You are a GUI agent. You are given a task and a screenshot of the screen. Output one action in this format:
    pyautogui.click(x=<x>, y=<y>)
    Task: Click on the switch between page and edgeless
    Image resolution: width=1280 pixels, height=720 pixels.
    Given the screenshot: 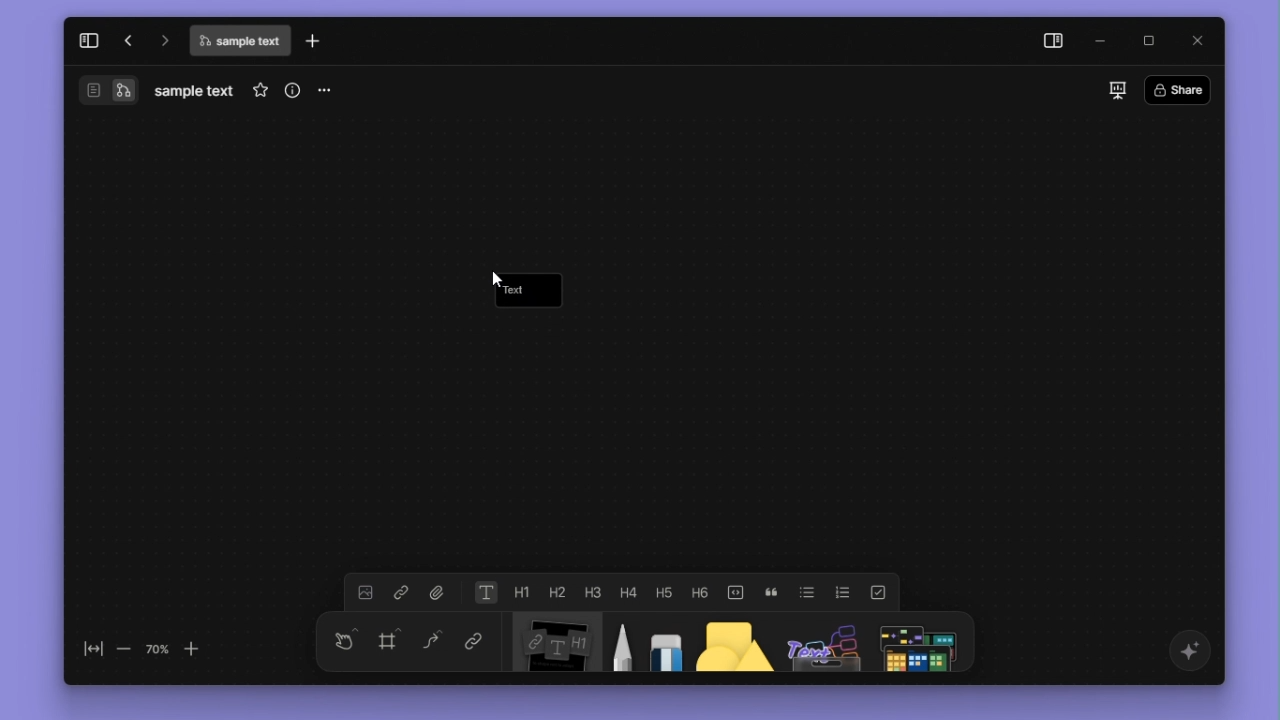 What is the action you would take?
    pyautogui.click(x=108, y=92)
    